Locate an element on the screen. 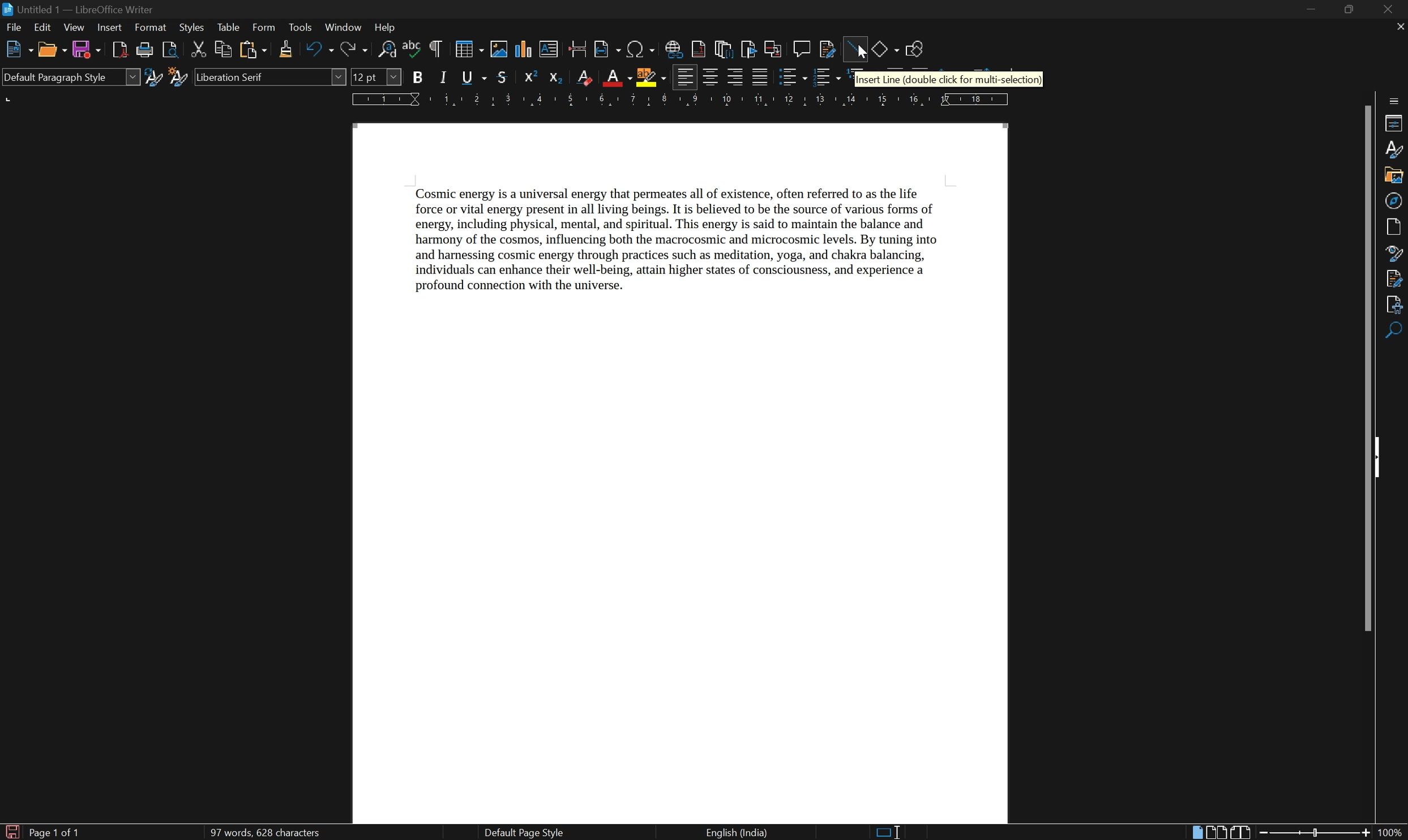  paste is located at coordinates (251, 50).